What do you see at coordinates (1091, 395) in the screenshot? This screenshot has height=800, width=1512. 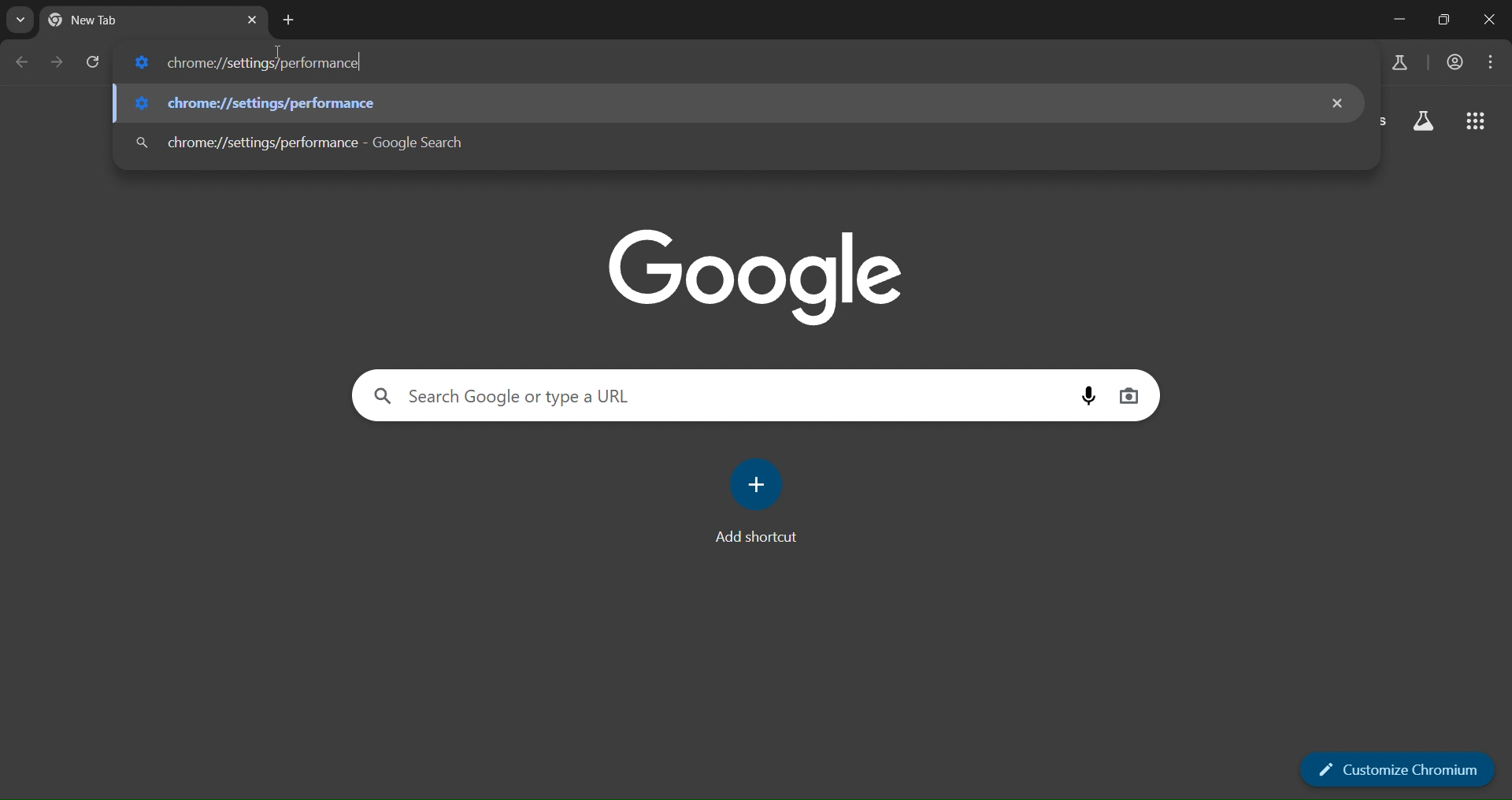 I see `voice search` at bounding box center [1091, 395].